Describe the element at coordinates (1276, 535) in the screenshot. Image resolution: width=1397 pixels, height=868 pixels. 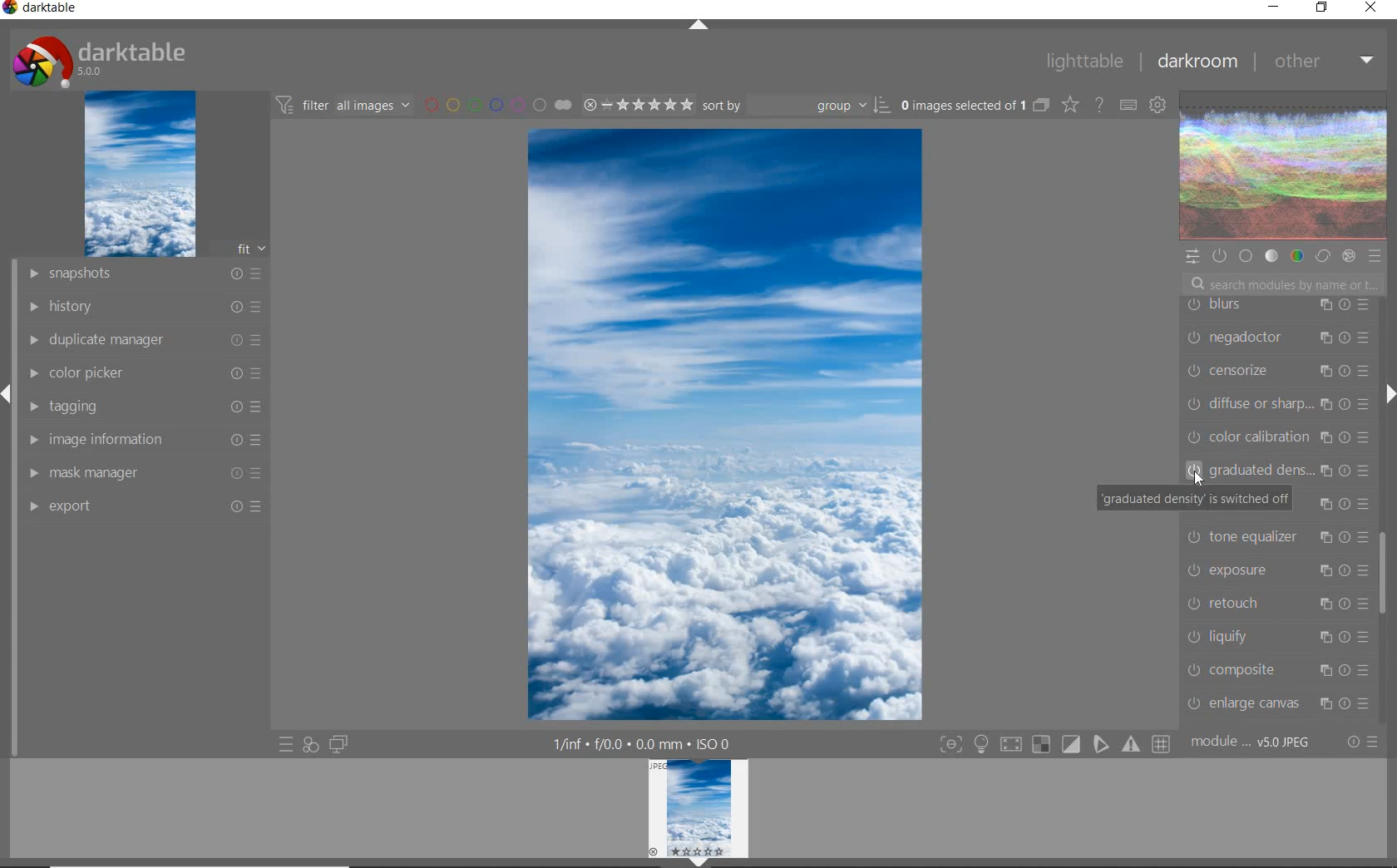
I see `tone equalizer` at that location.